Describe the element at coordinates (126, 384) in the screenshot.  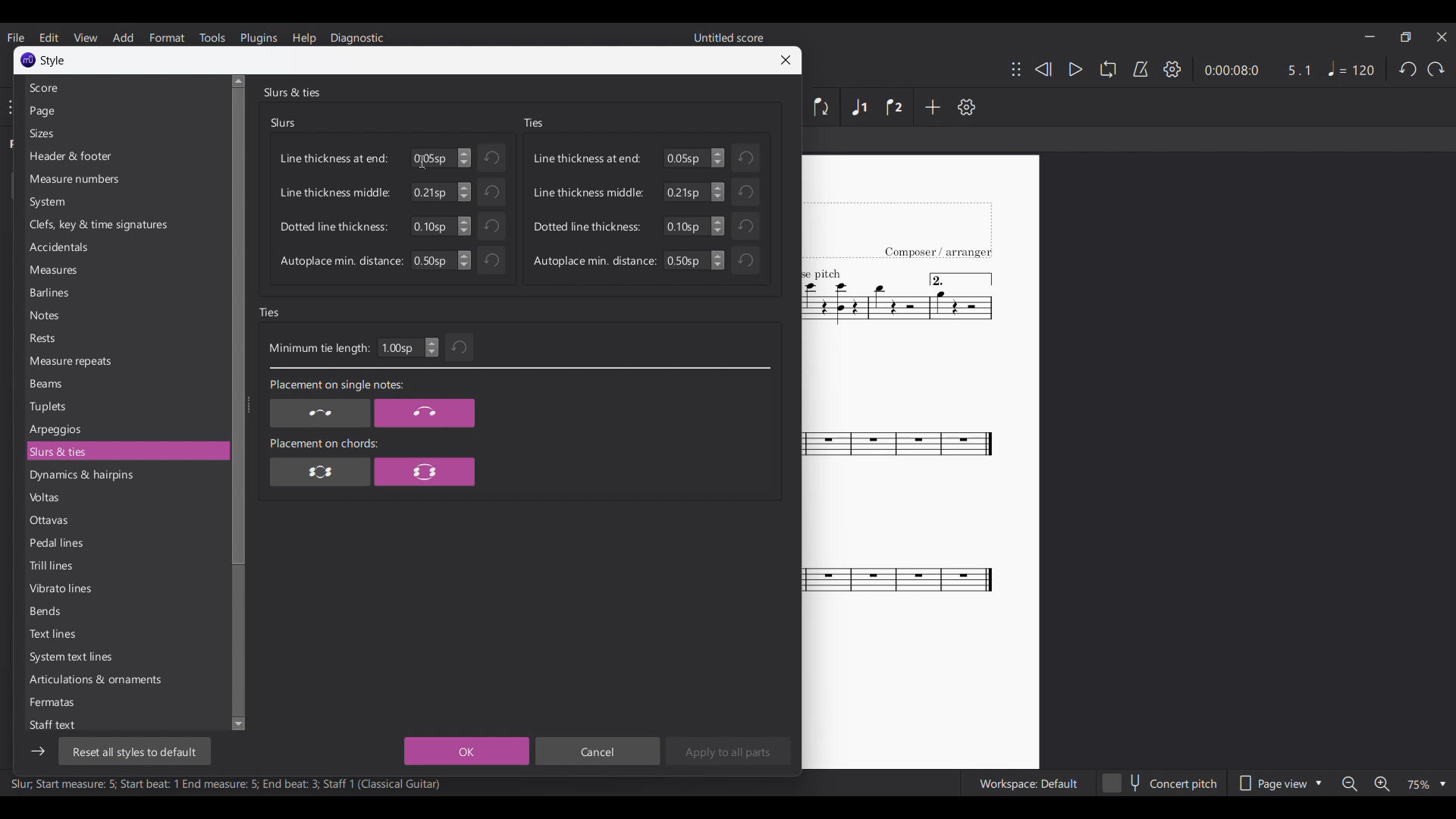
I see `Beams` at that location.